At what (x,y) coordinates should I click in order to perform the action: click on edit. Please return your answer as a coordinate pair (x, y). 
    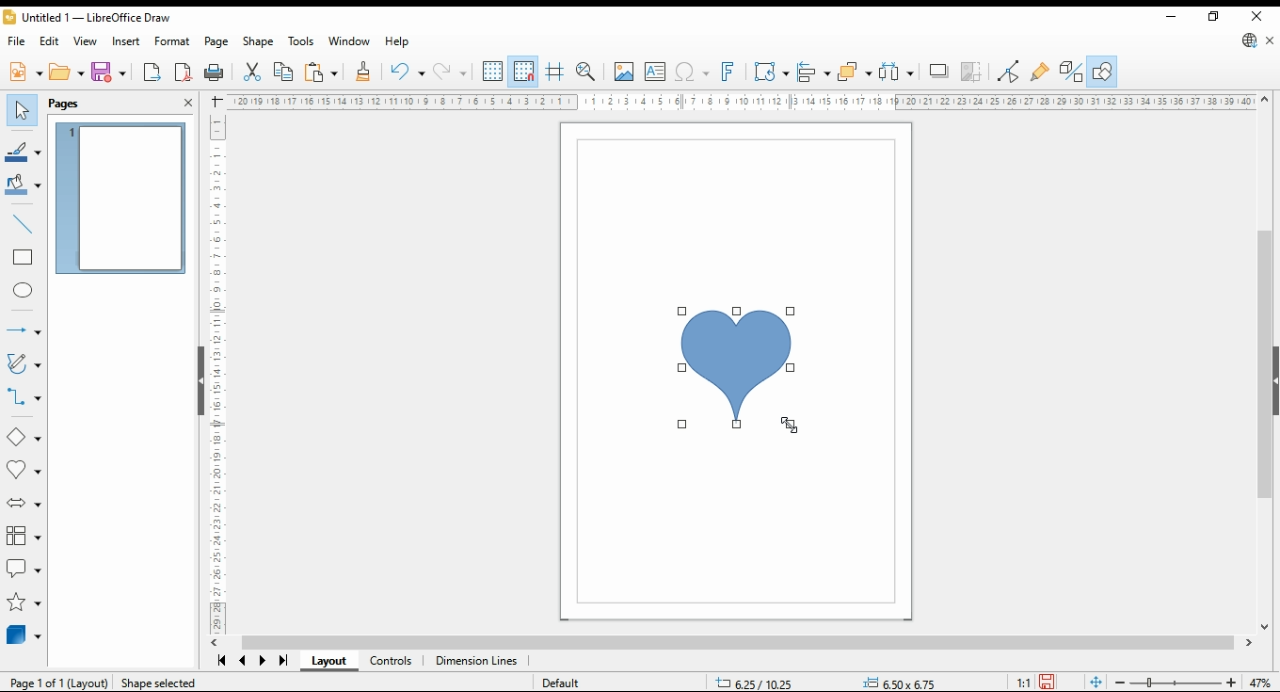
    Looking at the image, I should click on (49, 42).